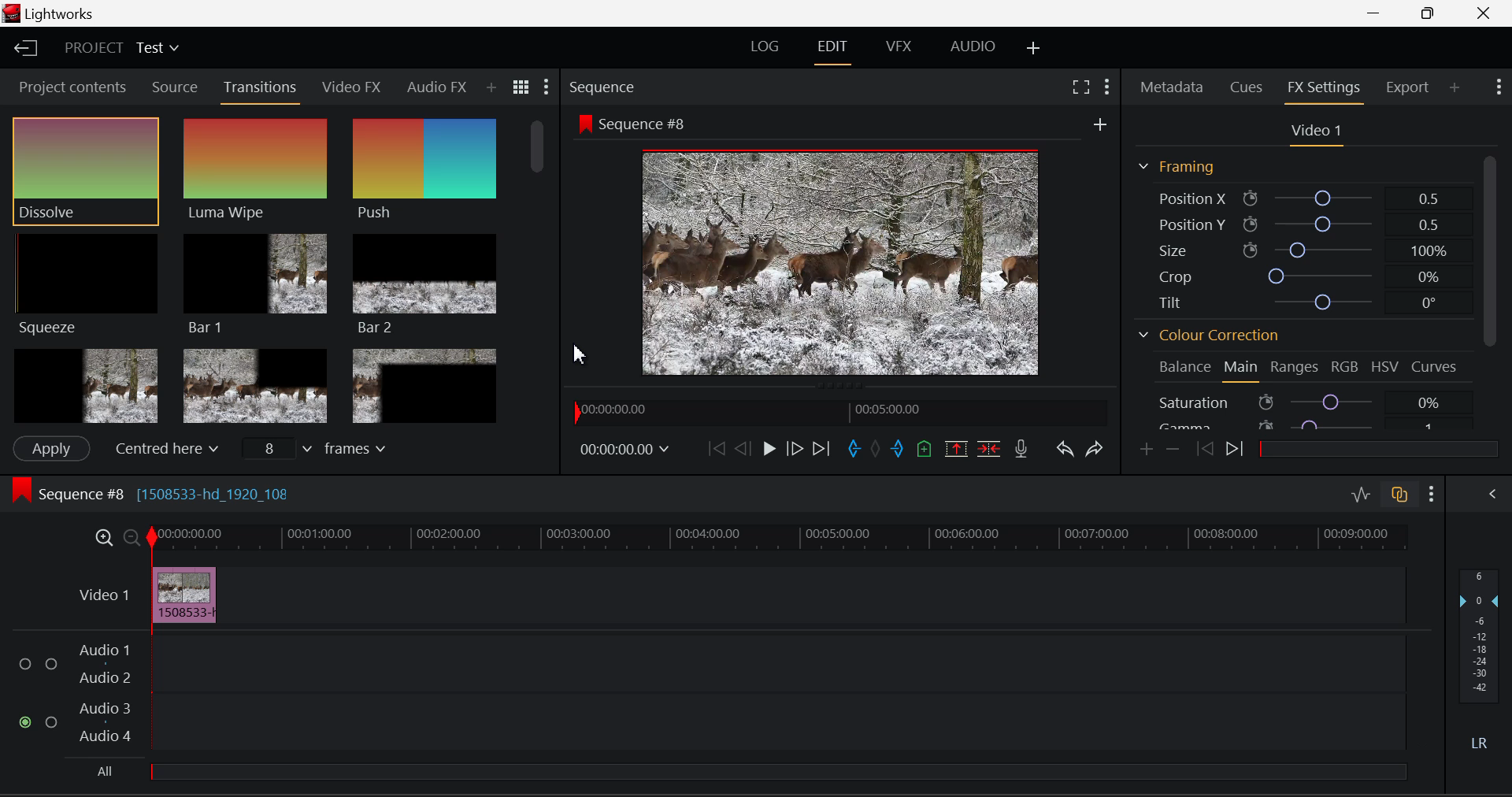  I want to click on Centered here, so click(164, 449).